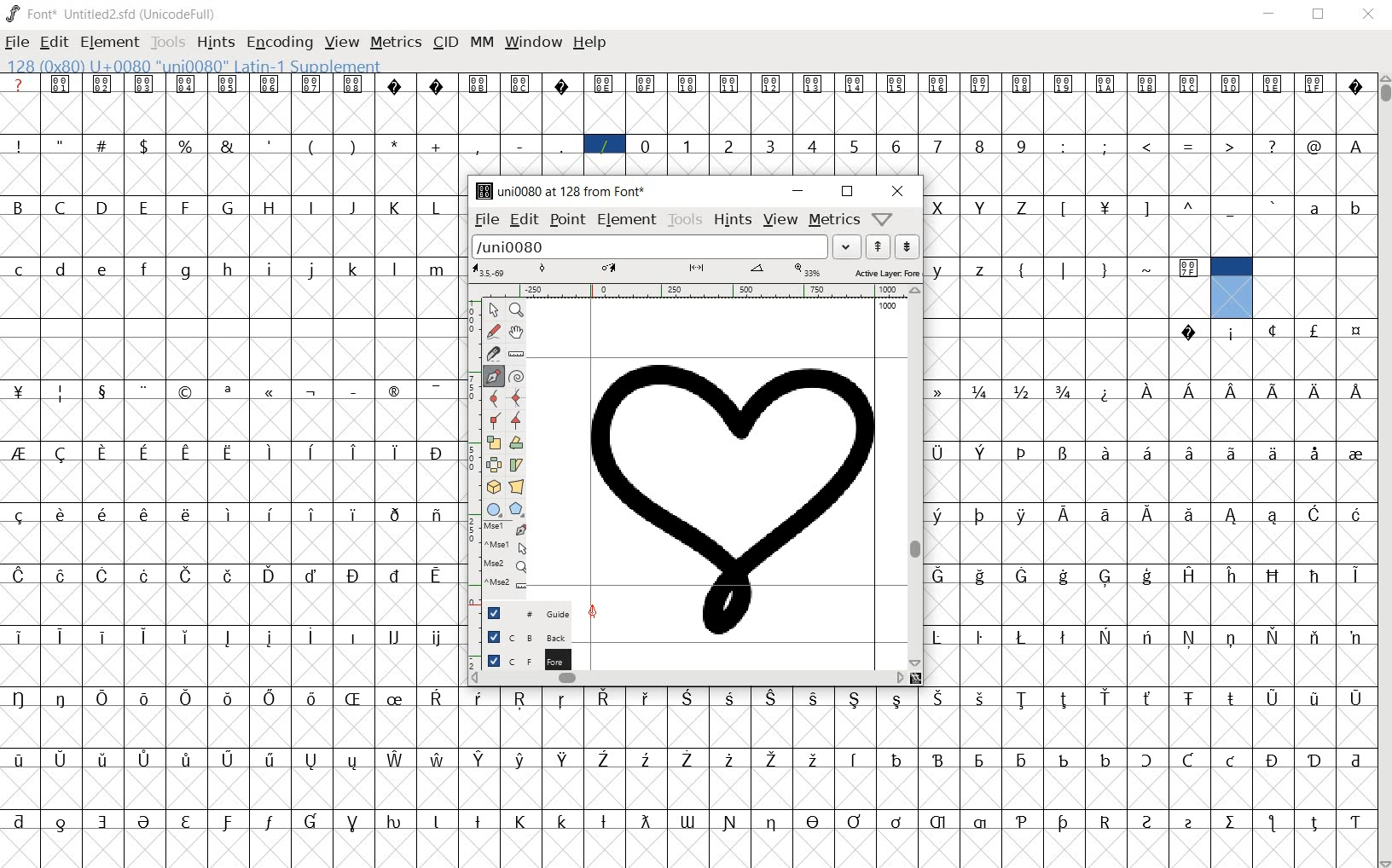  Describe the element at coordinates (354, 452) in the screenshot. I see `glyph` at that location.